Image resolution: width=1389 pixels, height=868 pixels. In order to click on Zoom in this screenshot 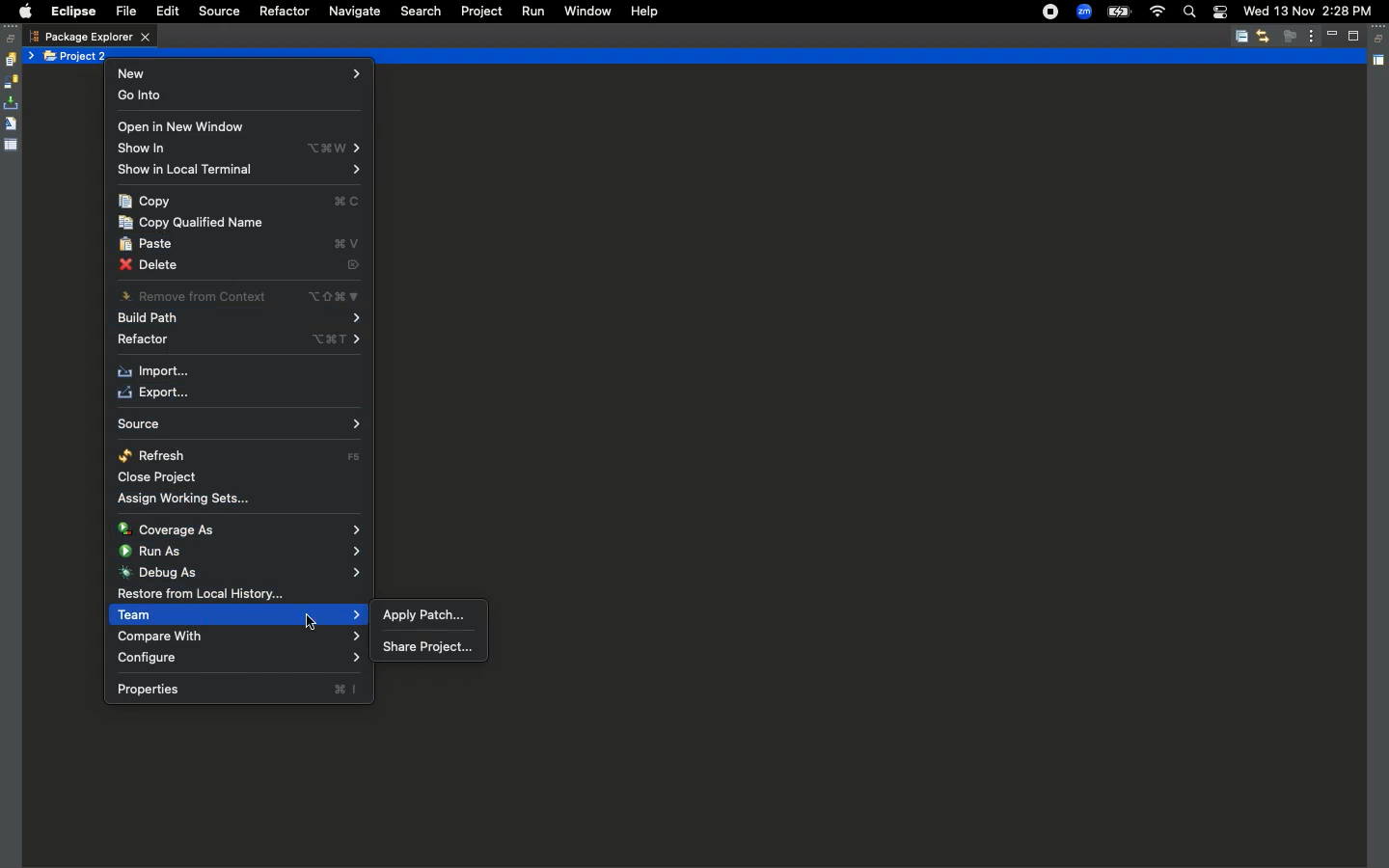, I will do `click(1084, 13)`.